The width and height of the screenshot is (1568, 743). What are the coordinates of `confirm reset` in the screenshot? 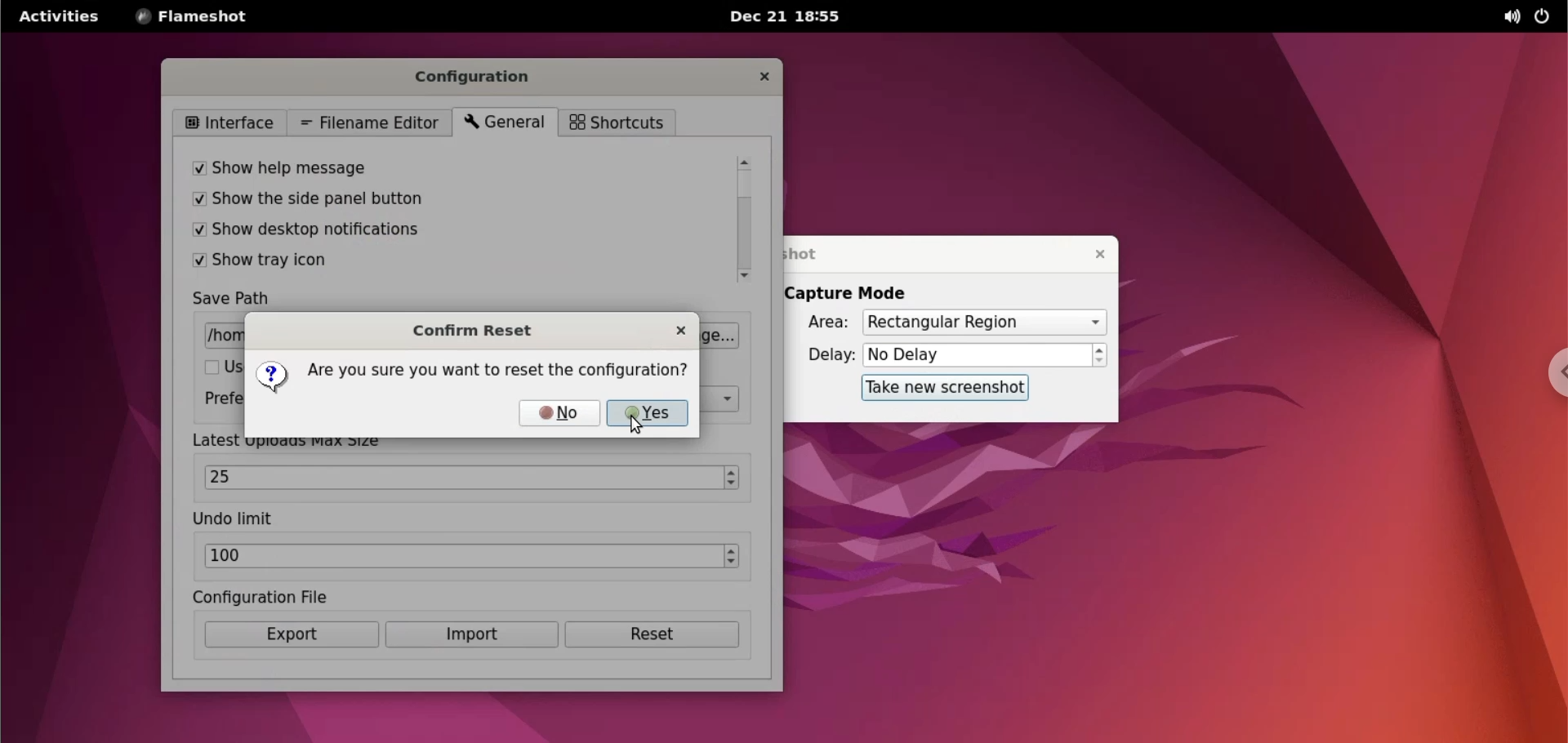 It's located at (478, 329).